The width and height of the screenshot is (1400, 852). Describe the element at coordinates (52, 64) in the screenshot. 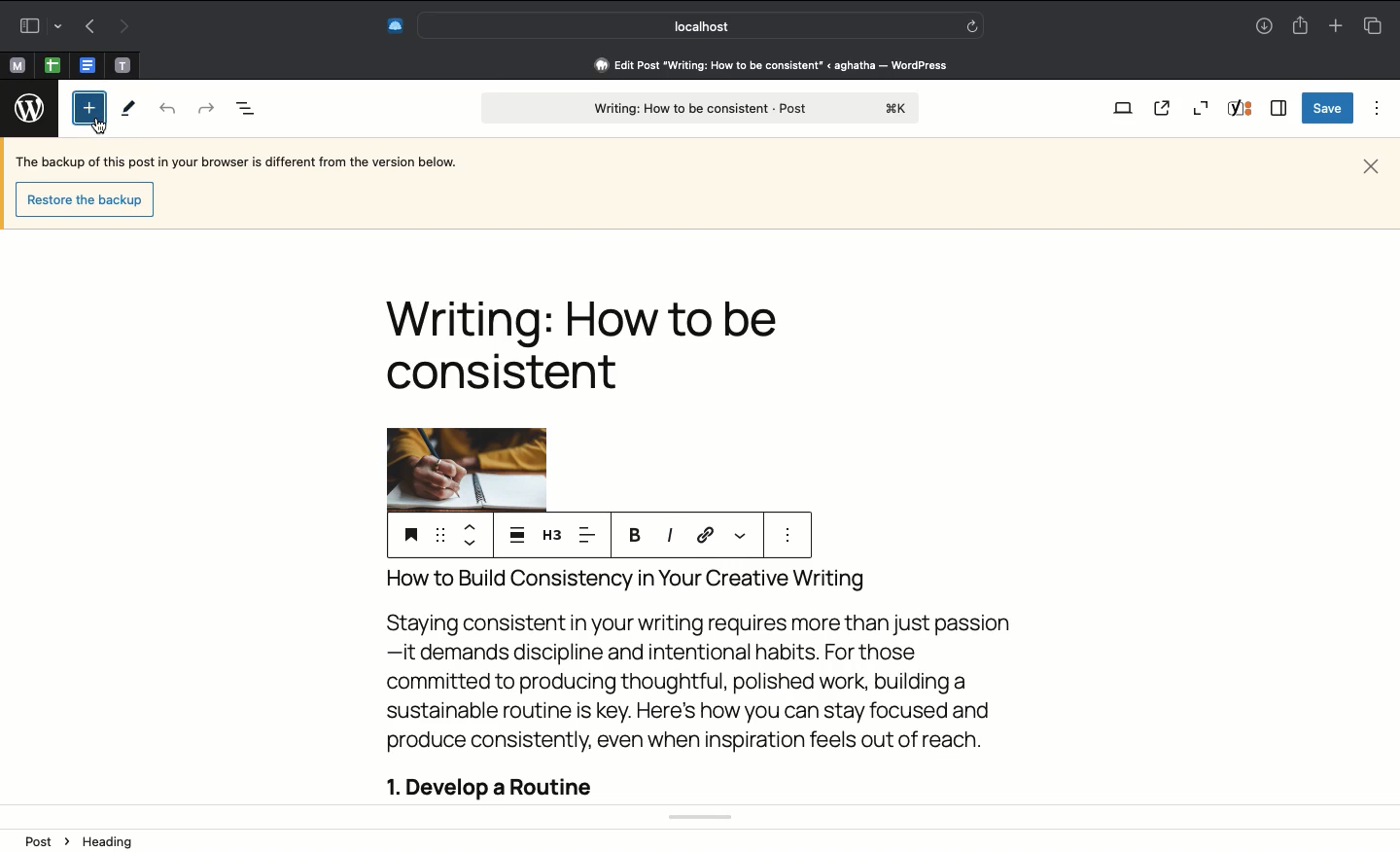

I see `Pinned tabs` at that location.